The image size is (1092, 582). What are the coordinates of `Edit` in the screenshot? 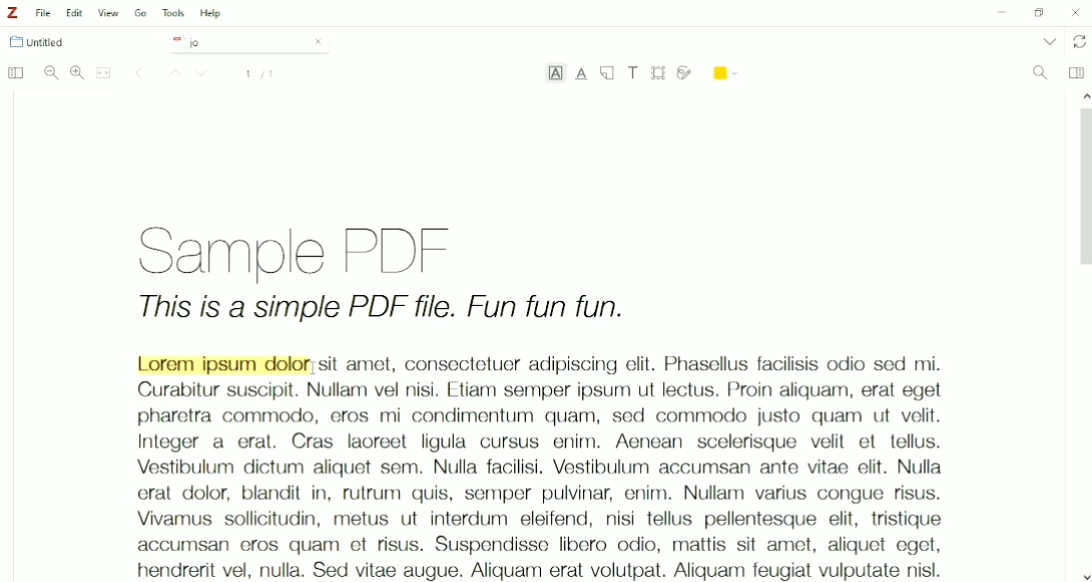 It's located at (76, 13).